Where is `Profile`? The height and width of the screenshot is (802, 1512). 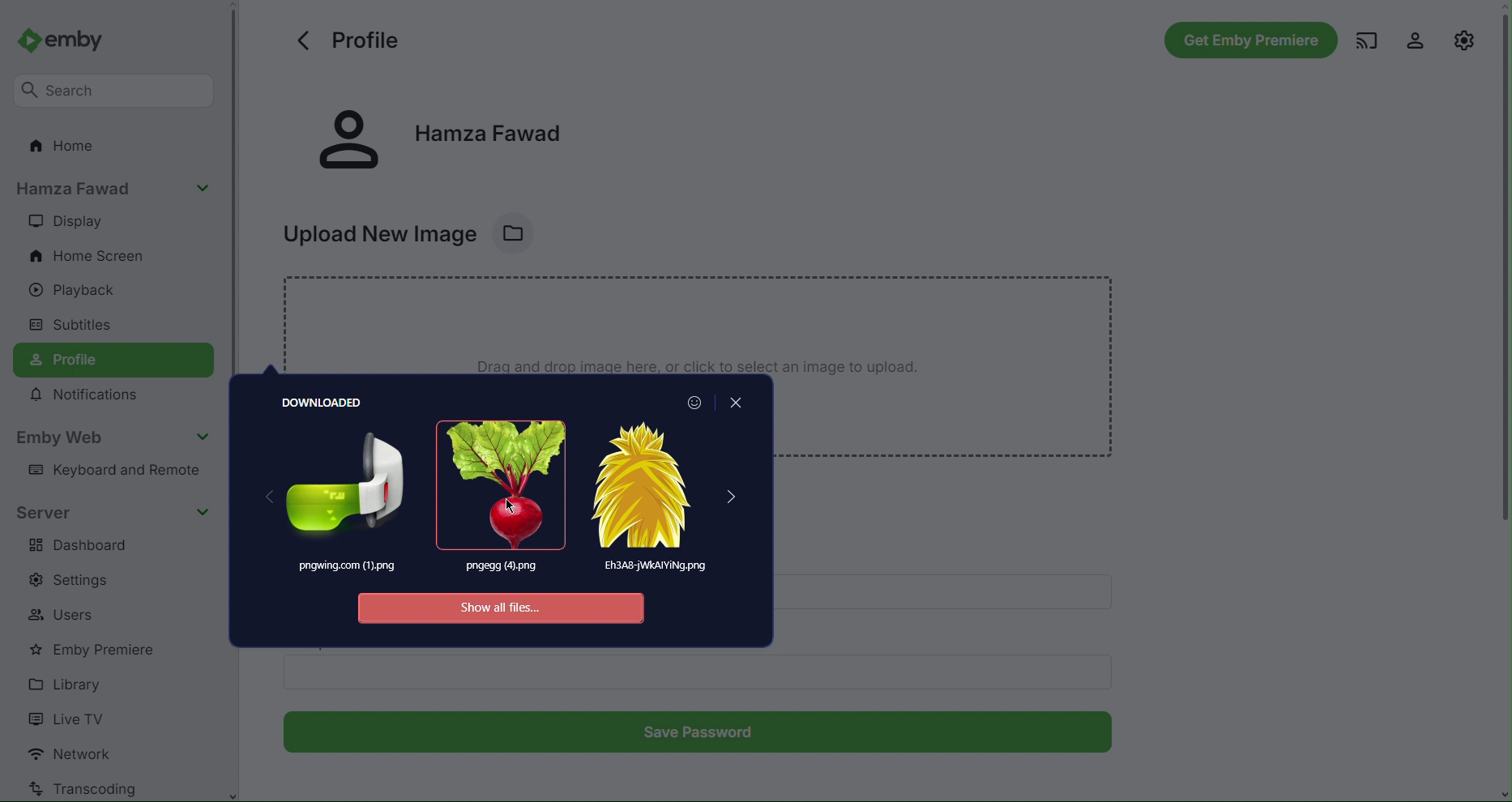
Profile is located at coordinates (115, 360).